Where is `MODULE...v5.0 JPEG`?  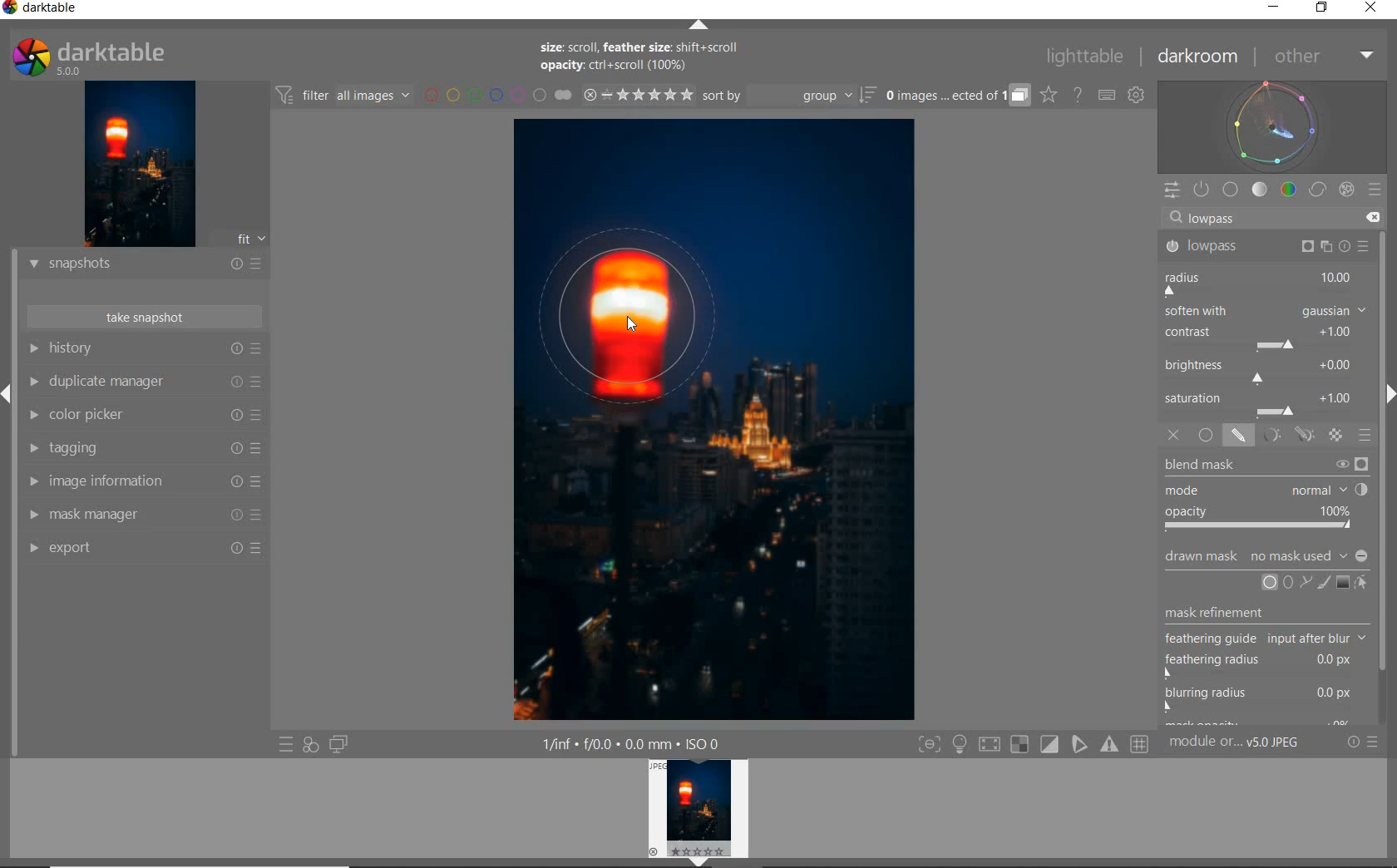
MODULE...v5.0 JPEG is located at coordinates (1251, 744).